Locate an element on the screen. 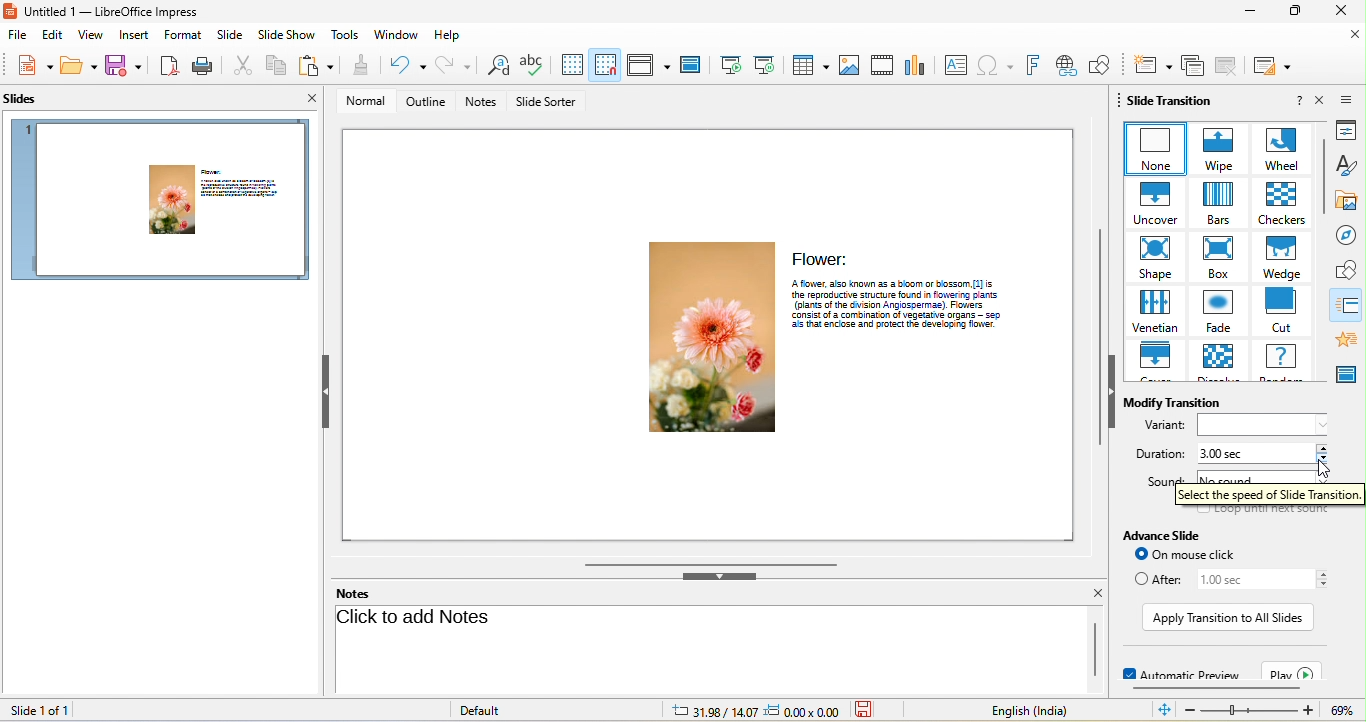  click to add notes is located at coordinates (418, 620).